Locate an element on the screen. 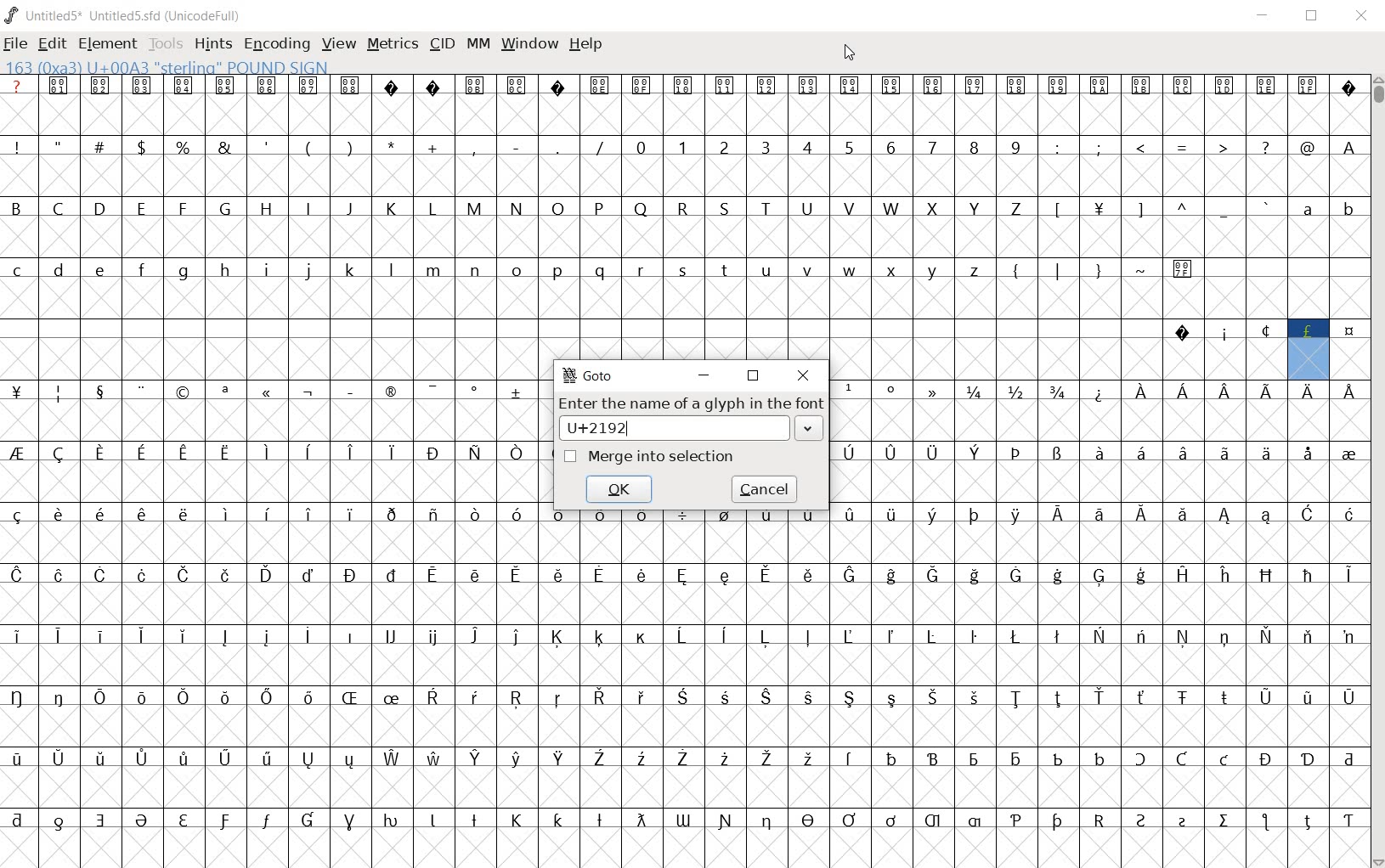  TOOLS is located at coordinates (164, 45).